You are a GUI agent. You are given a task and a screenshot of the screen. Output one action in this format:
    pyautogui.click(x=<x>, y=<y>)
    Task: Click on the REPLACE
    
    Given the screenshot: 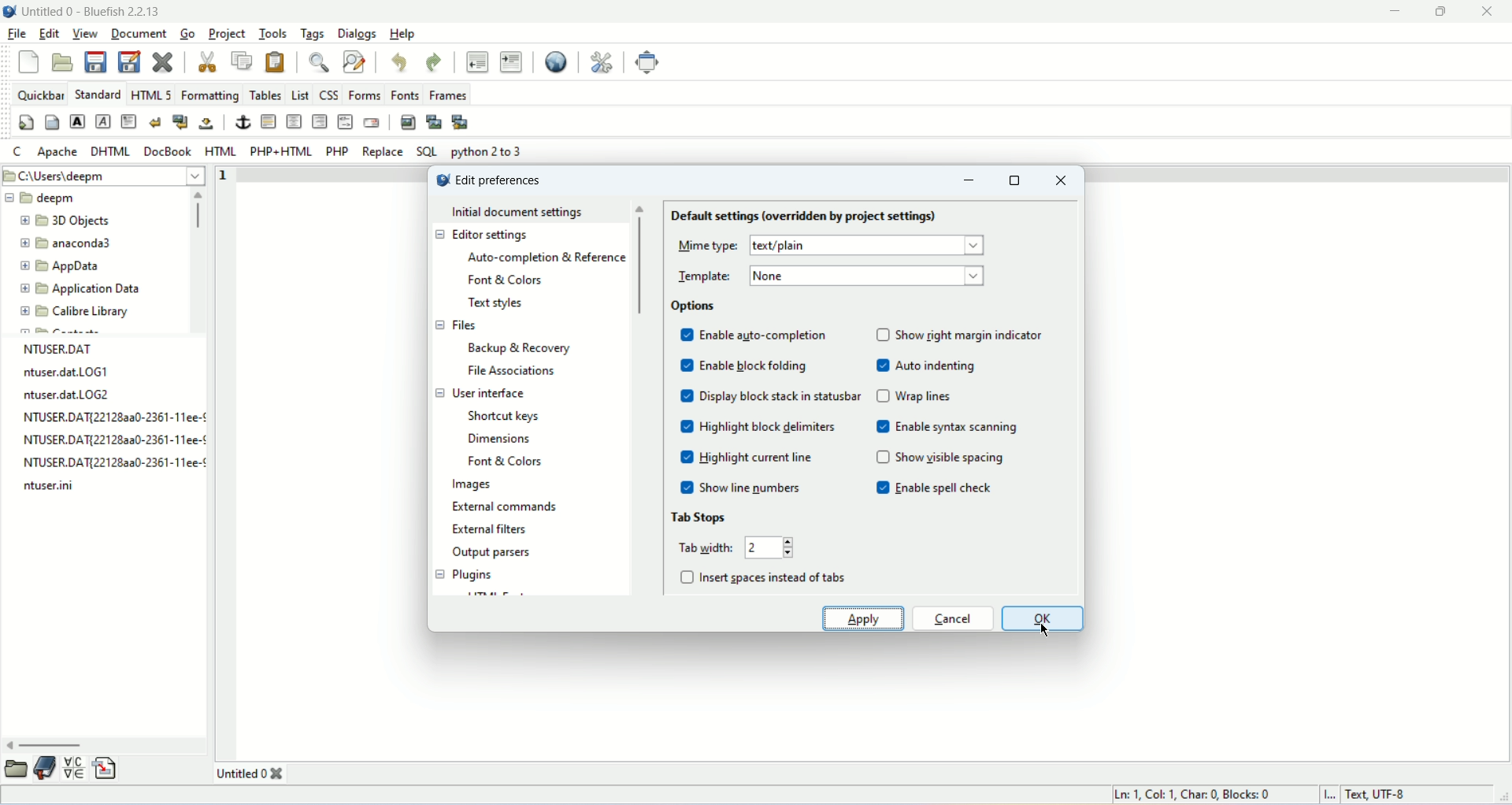 What is the action you would take?
    pyautogui.click(x=382, y=151)
    